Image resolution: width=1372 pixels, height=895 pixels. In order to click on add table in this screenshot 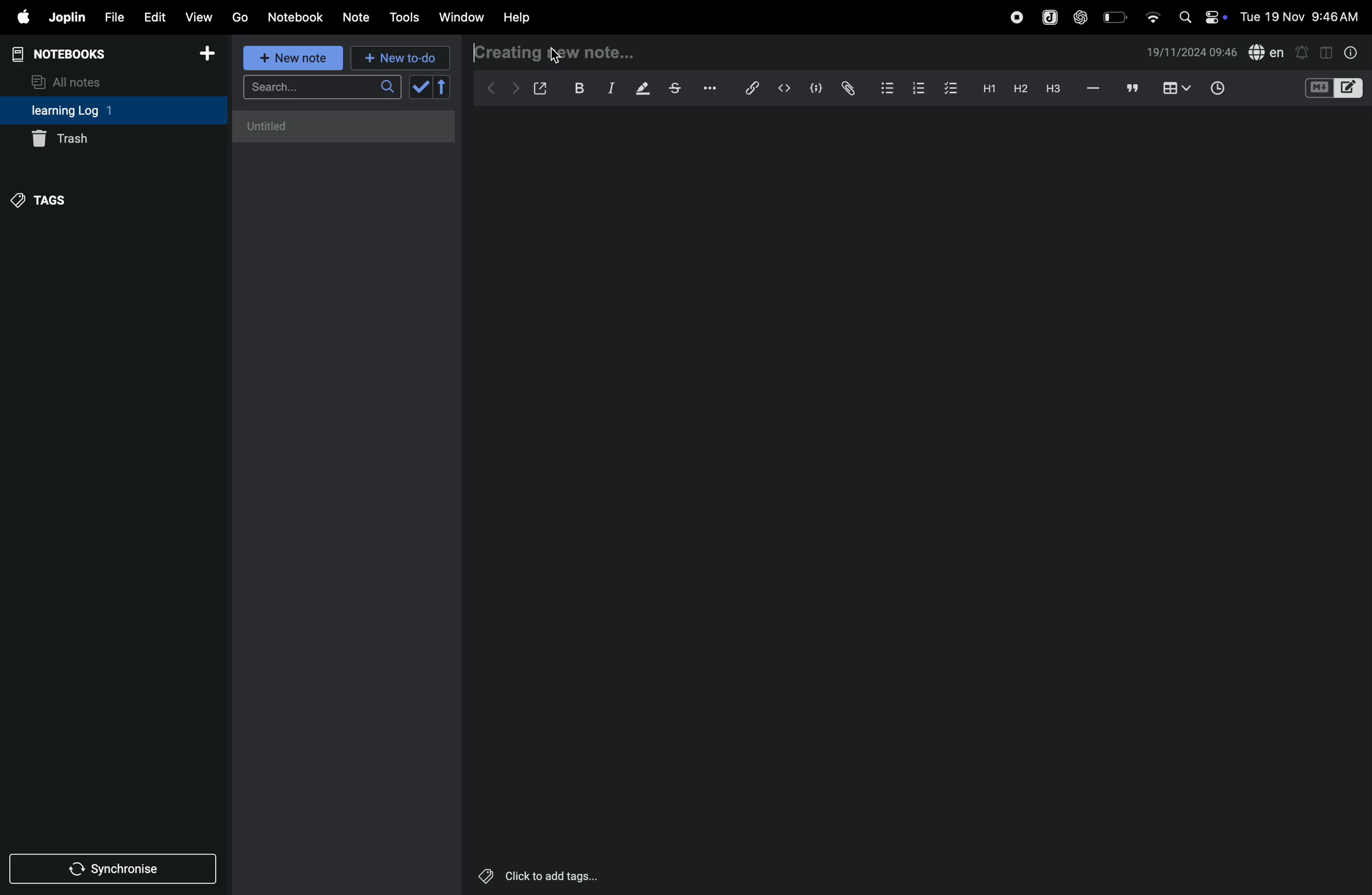, I will do `click(1174, 89)`.